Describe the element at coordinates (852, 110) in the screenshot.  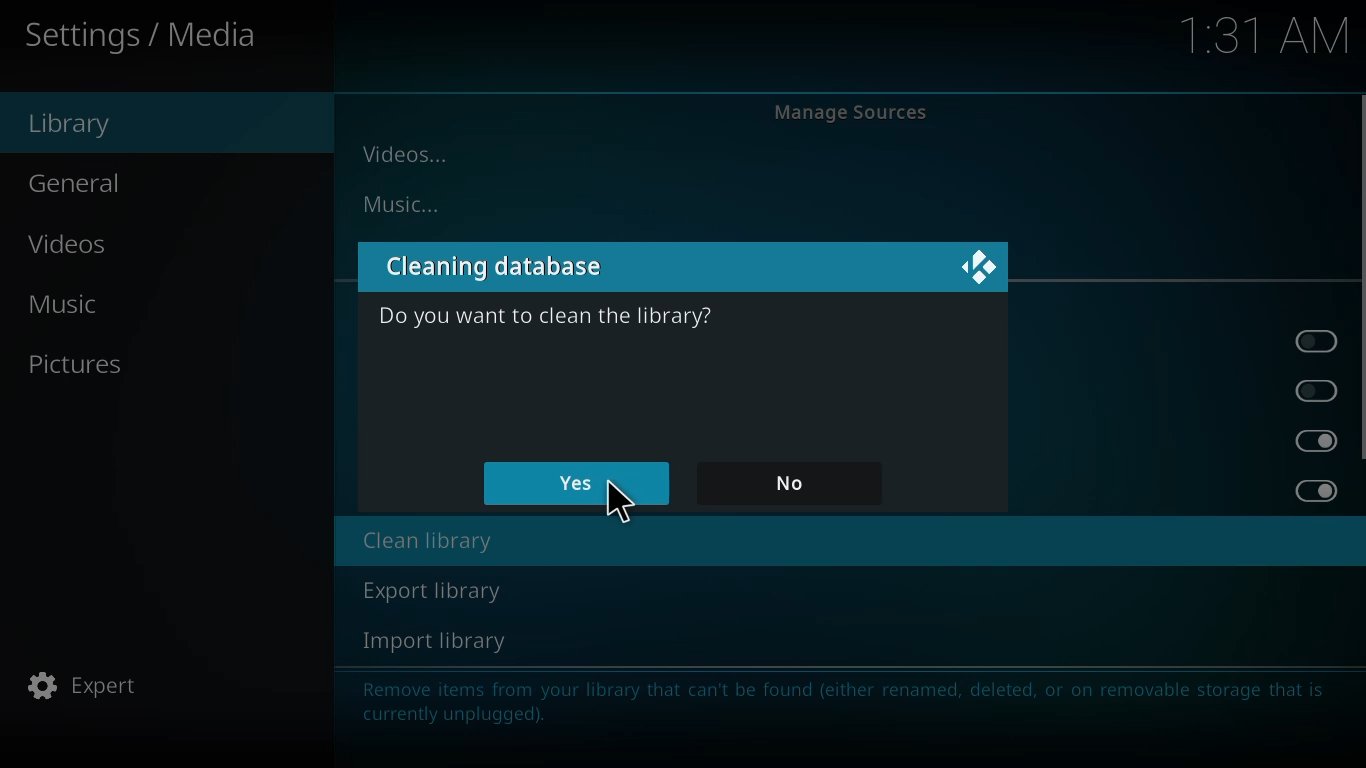
I see `manage sources` at that location.